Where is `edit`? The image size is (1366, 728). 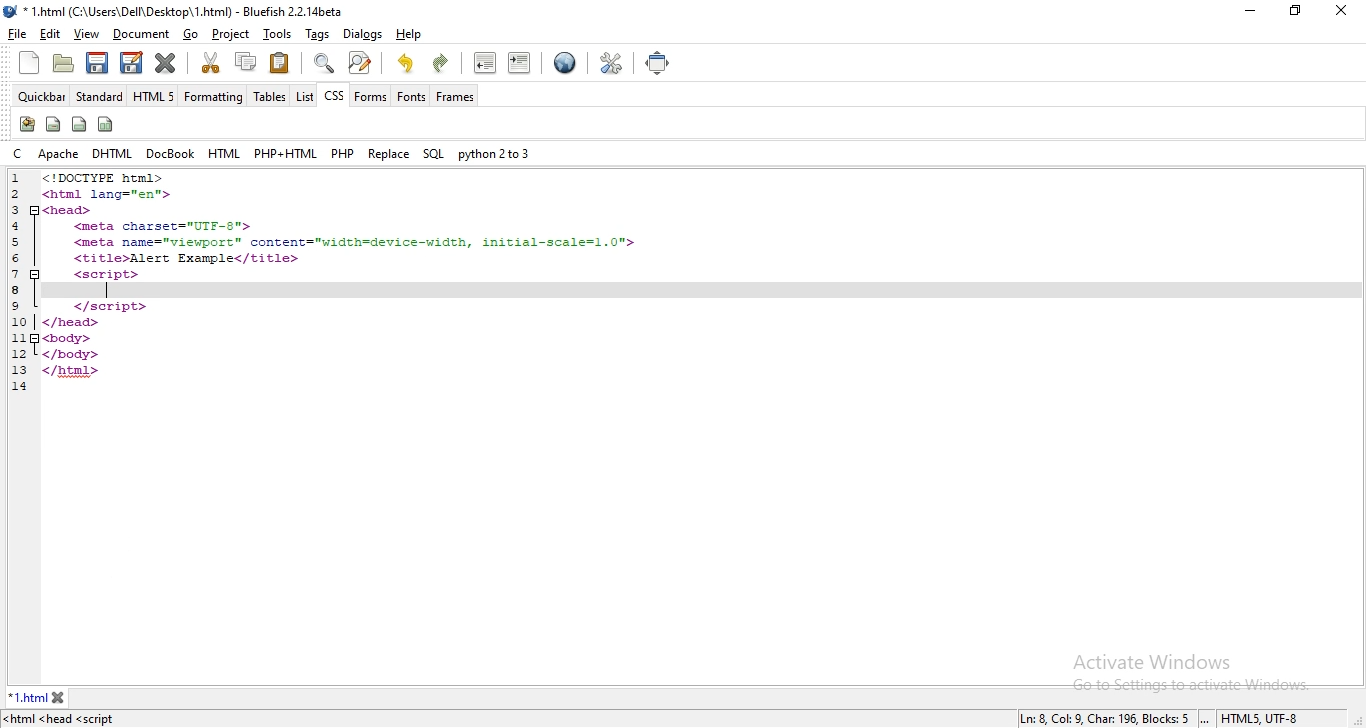
edit is located at coordinates (133, 63).